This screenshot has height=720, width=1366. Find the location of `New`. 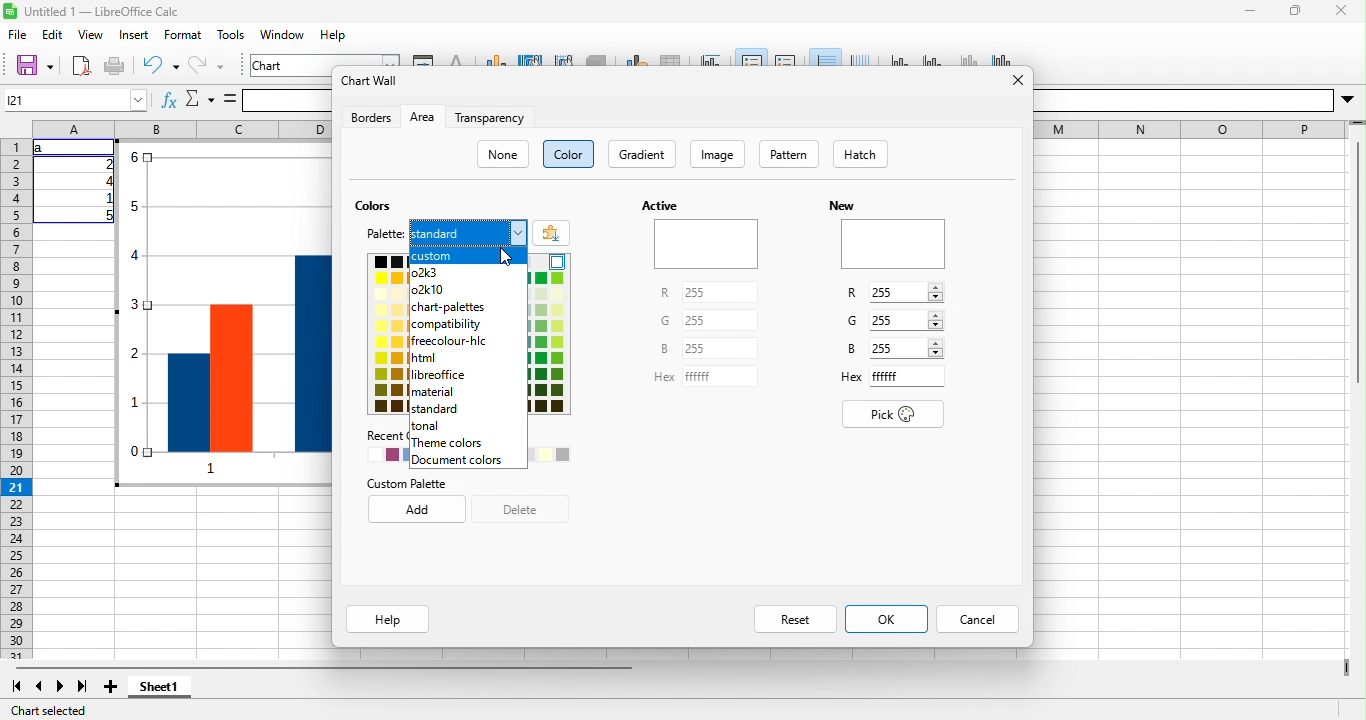

New is located at coordinates (842, 206).